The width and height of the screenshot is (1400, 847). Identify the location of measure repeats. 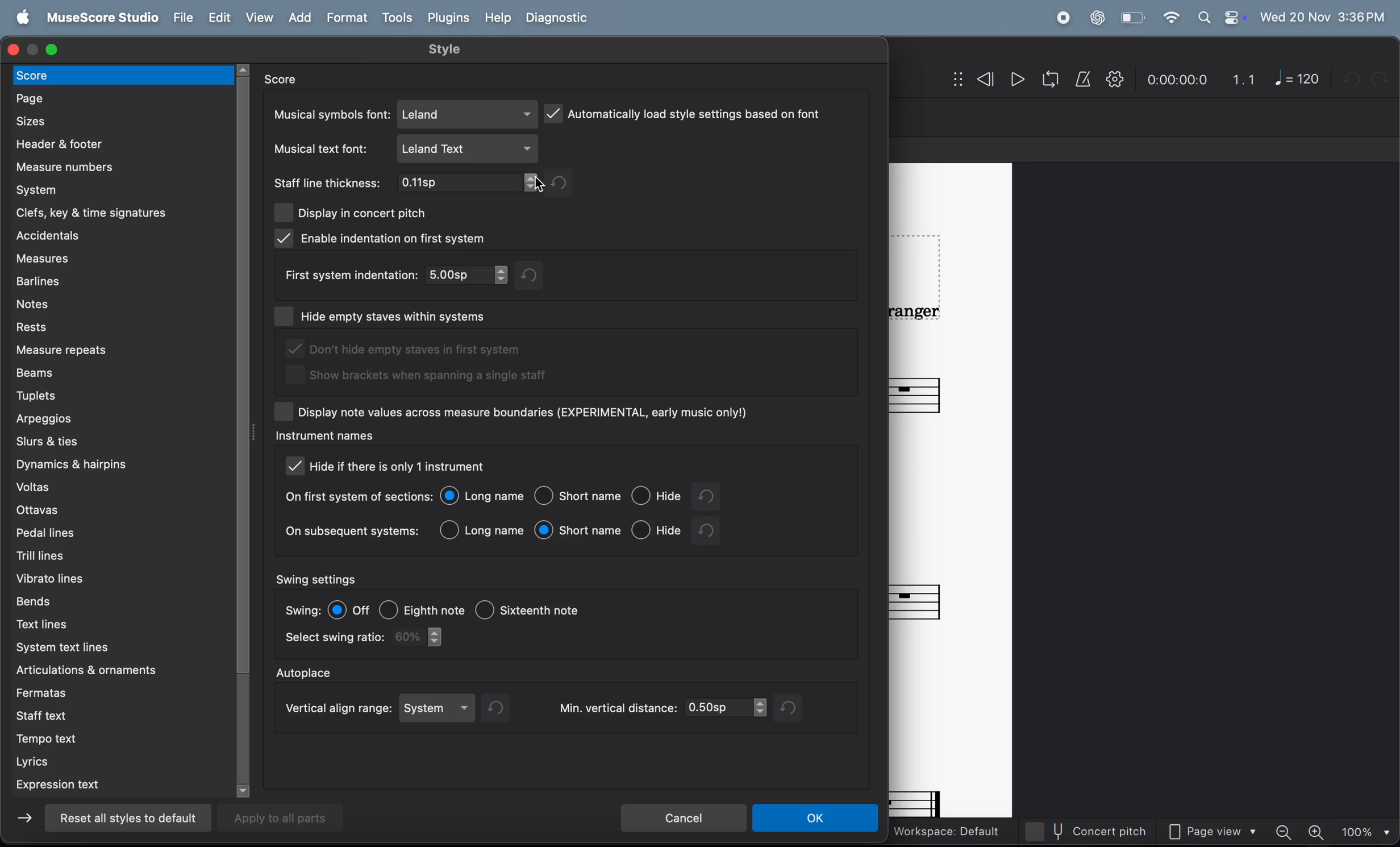
(120, 350).